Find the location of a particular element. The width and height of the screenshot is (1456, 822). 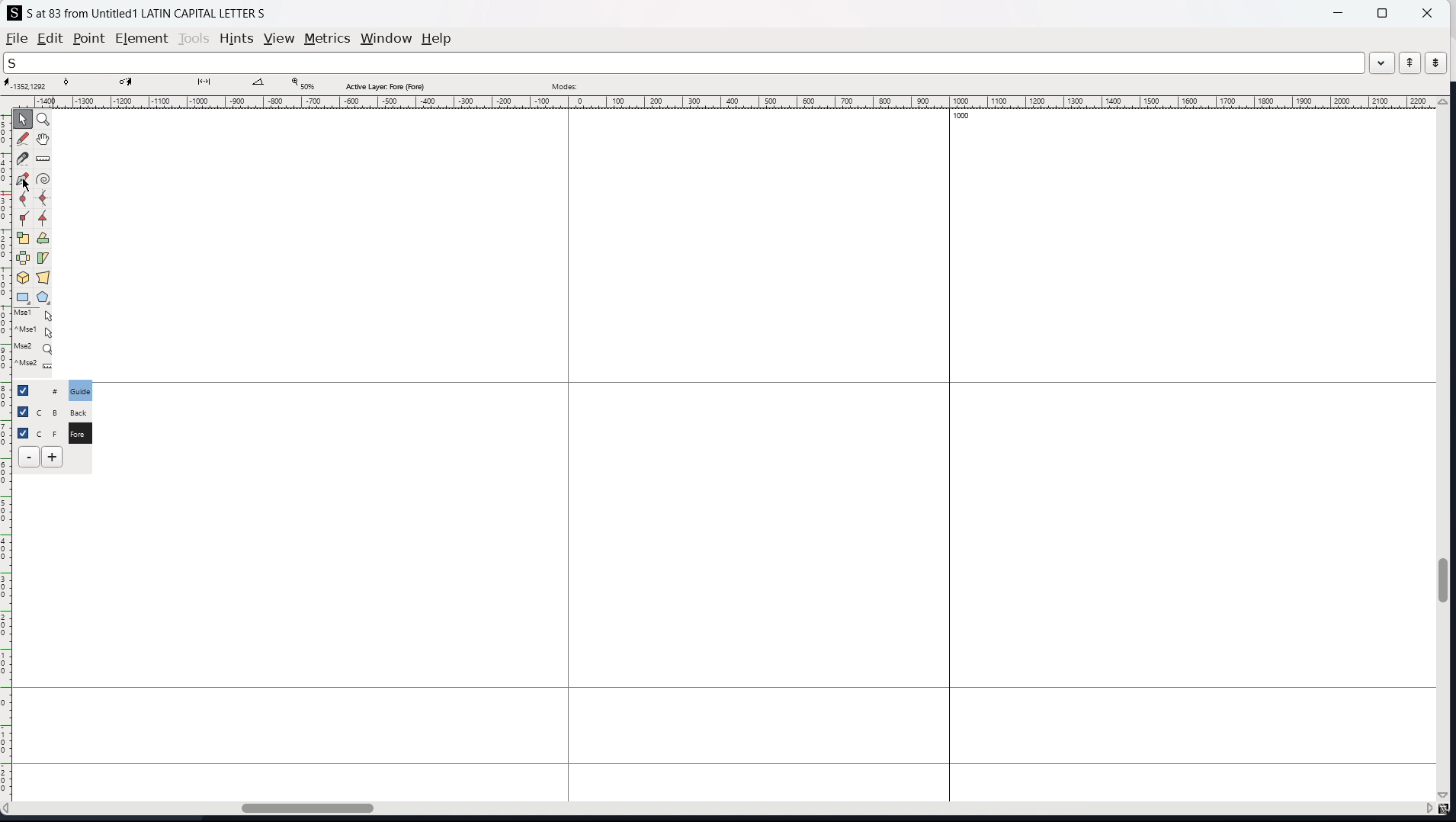

measure distance, angle between two points is located at coordinates (43, 159).